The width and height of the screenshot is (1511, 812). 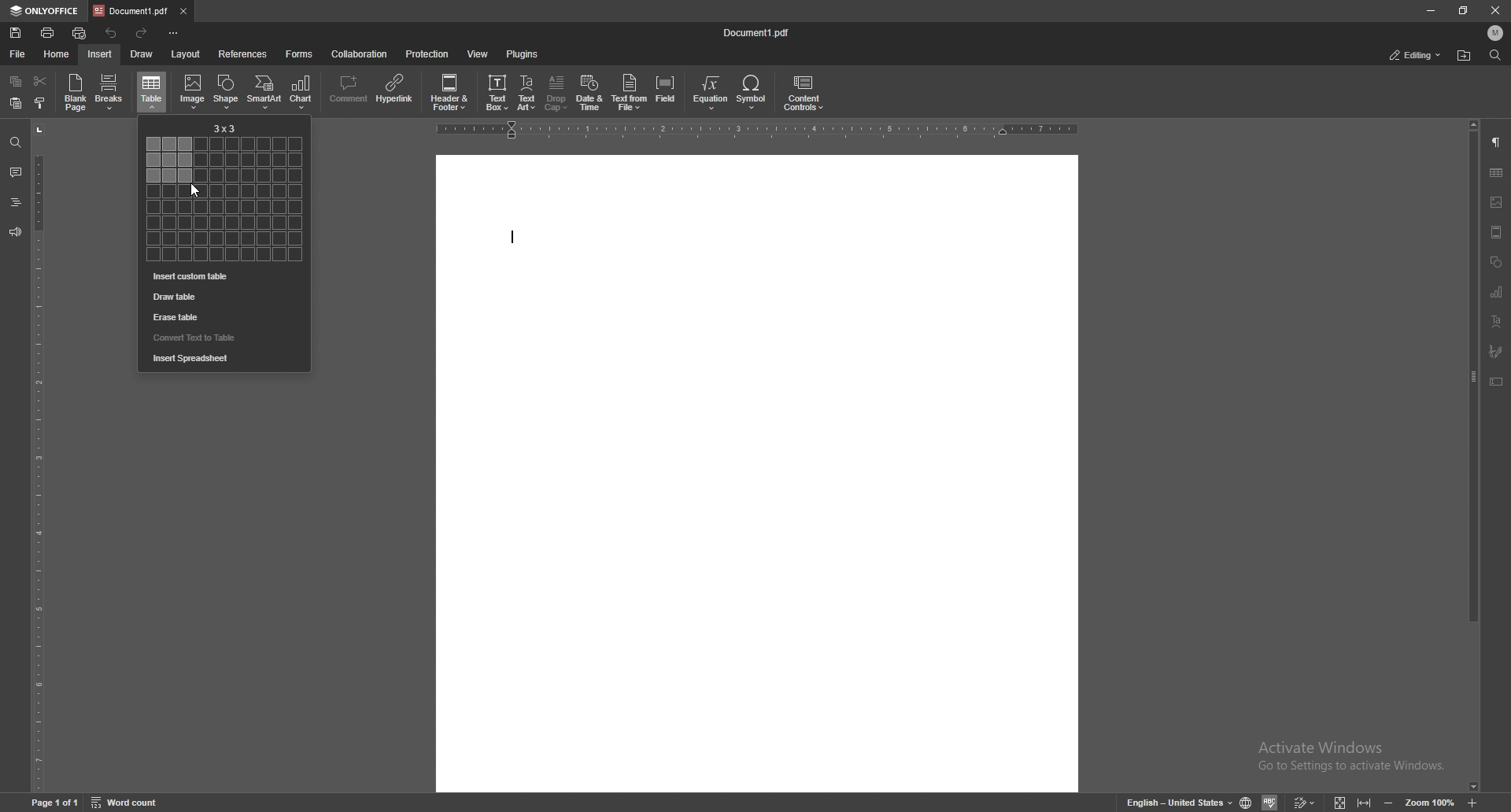 I want to click on date and time, so click(x=589, y=94).